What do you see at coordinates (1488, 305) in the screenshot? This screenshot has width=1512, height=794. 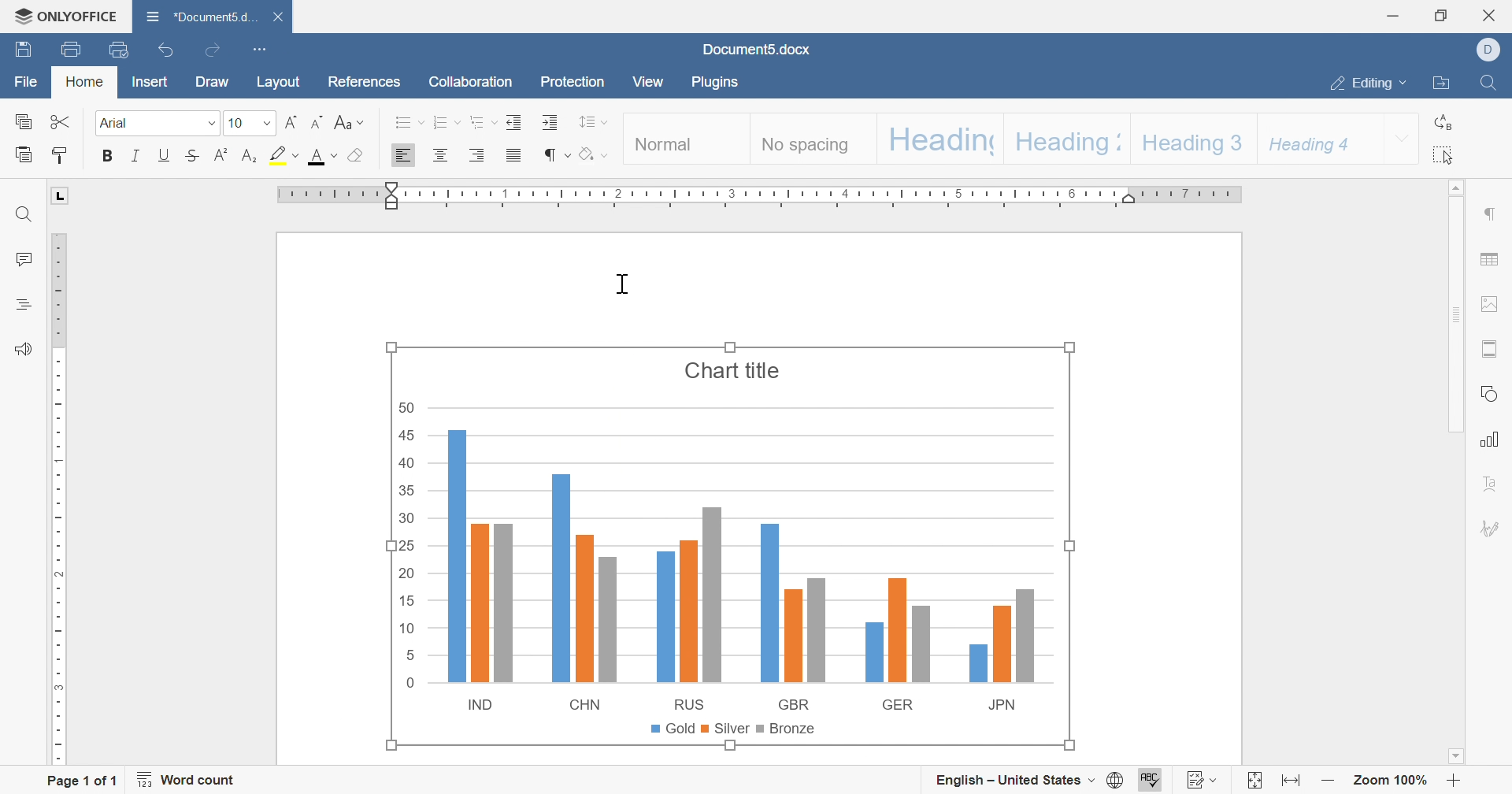 I see `image settings` at bounding box center [1488, 305].